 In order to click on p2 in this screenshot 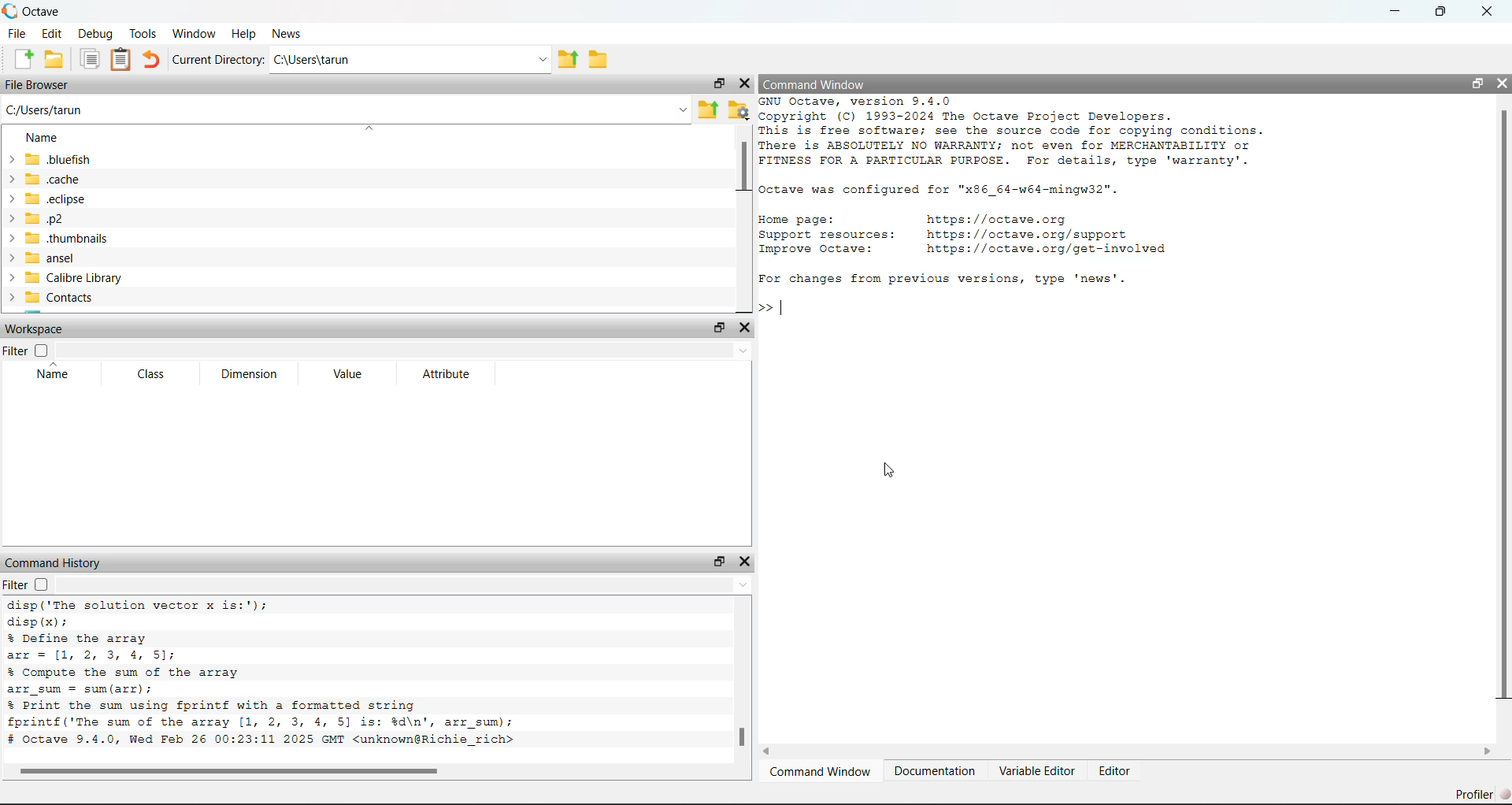, I will do `click(50, 220)`.